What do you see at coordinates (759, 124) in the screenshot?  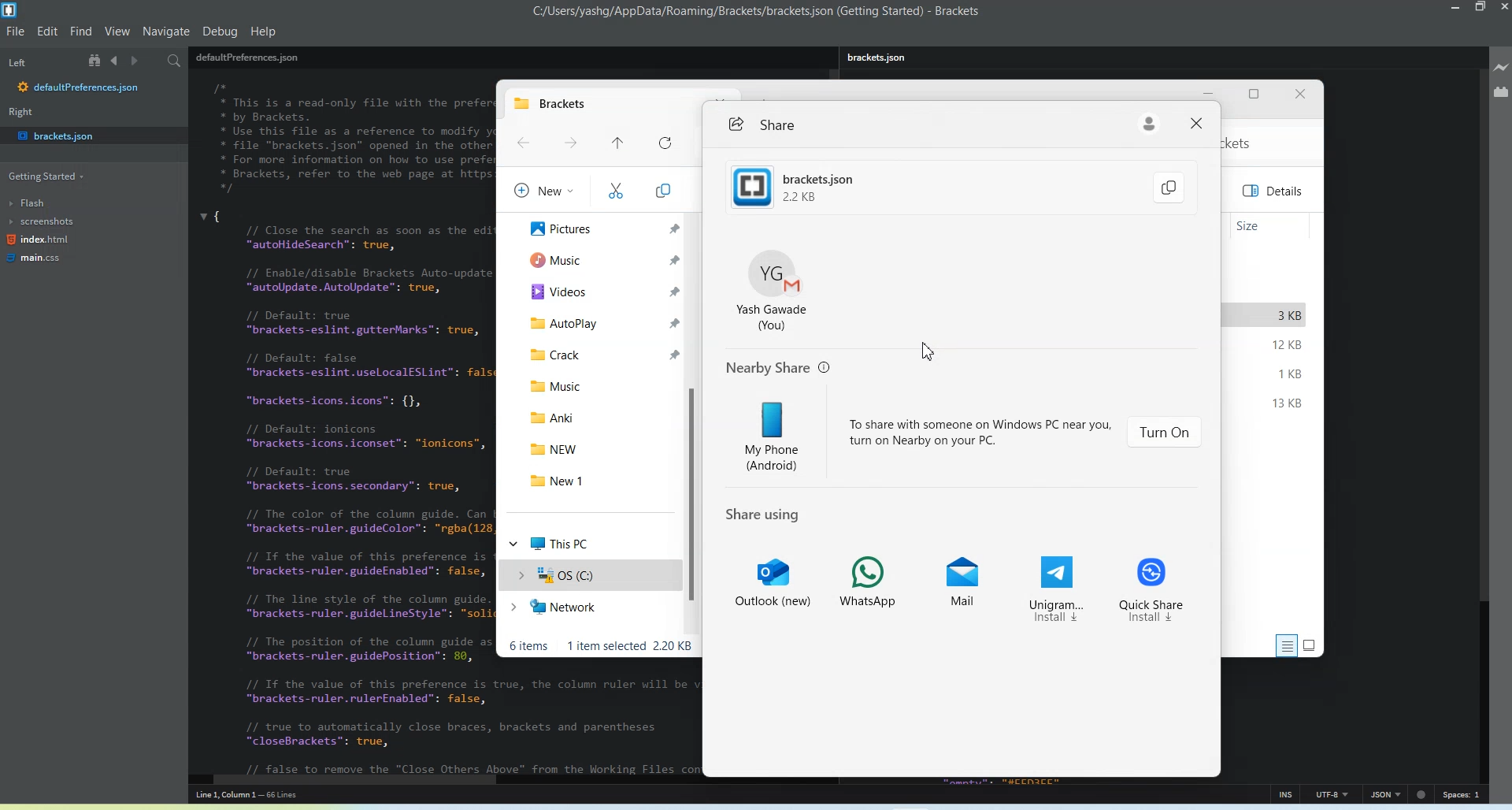 I see `Share` at bounding box center [759, 124].